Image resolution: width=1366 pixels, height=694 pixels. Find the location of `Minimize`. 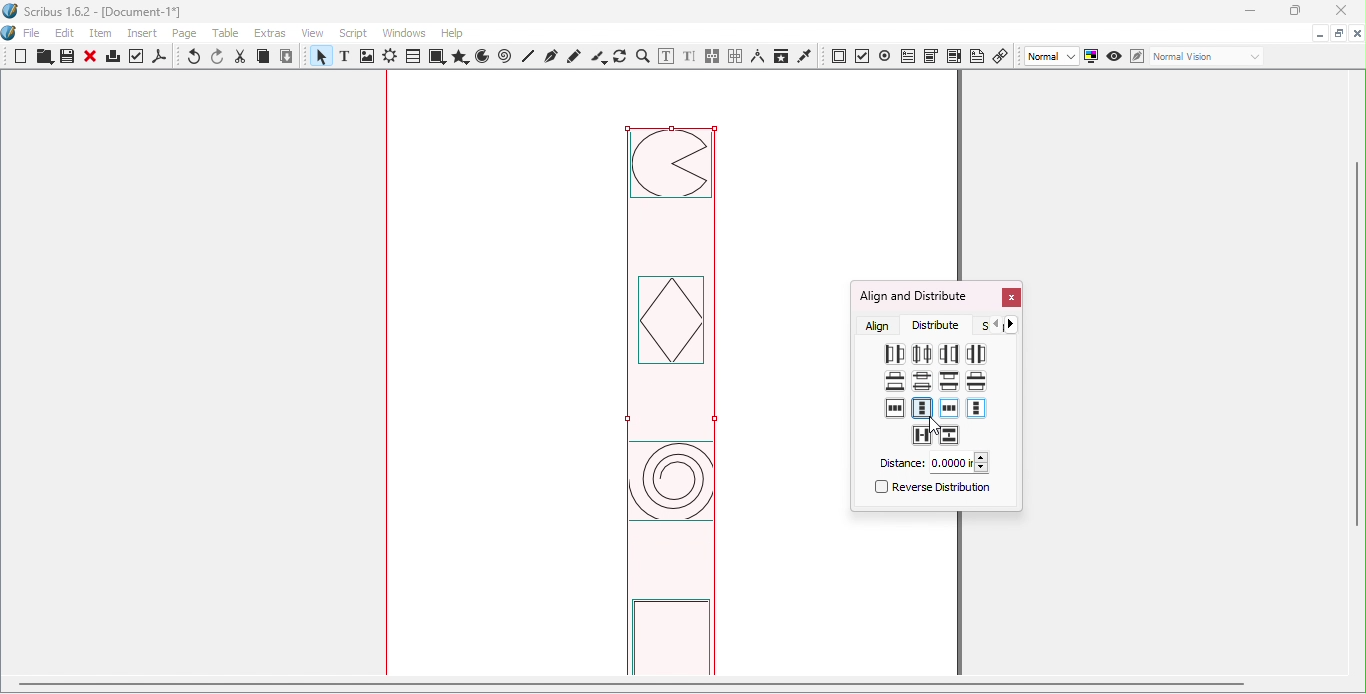

Minimize is located at coordinates (1249, 12).